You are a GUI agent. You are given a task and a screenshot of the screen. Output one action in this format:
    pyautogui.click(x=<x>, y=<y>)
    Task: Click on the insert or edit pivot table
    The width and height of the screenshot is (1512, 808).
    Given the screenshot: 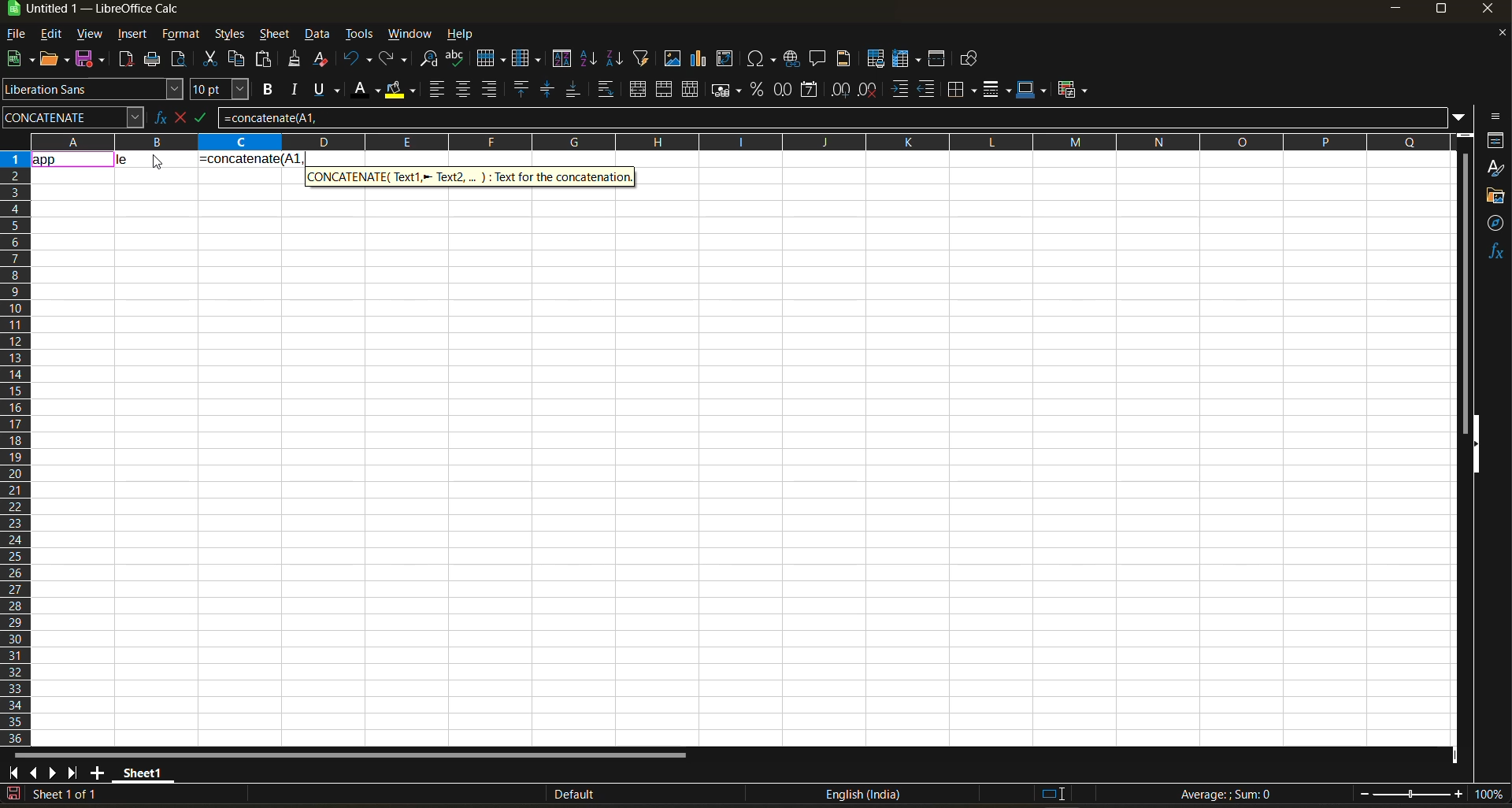 What is the action you would take?
    pyautogui.click(x=726, y=60)
    